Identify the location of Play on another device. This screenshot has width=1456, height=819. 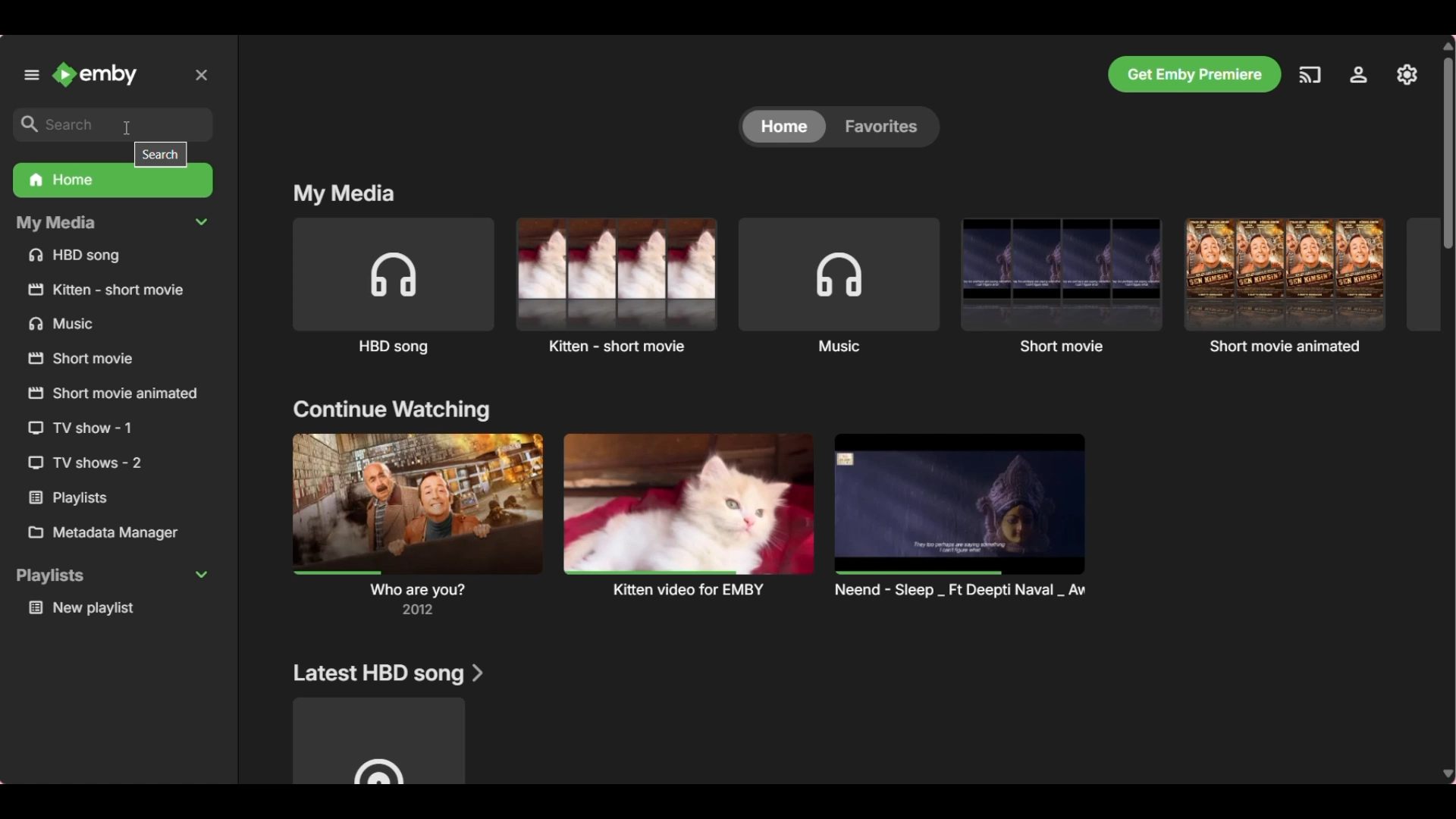
(1310, 75).